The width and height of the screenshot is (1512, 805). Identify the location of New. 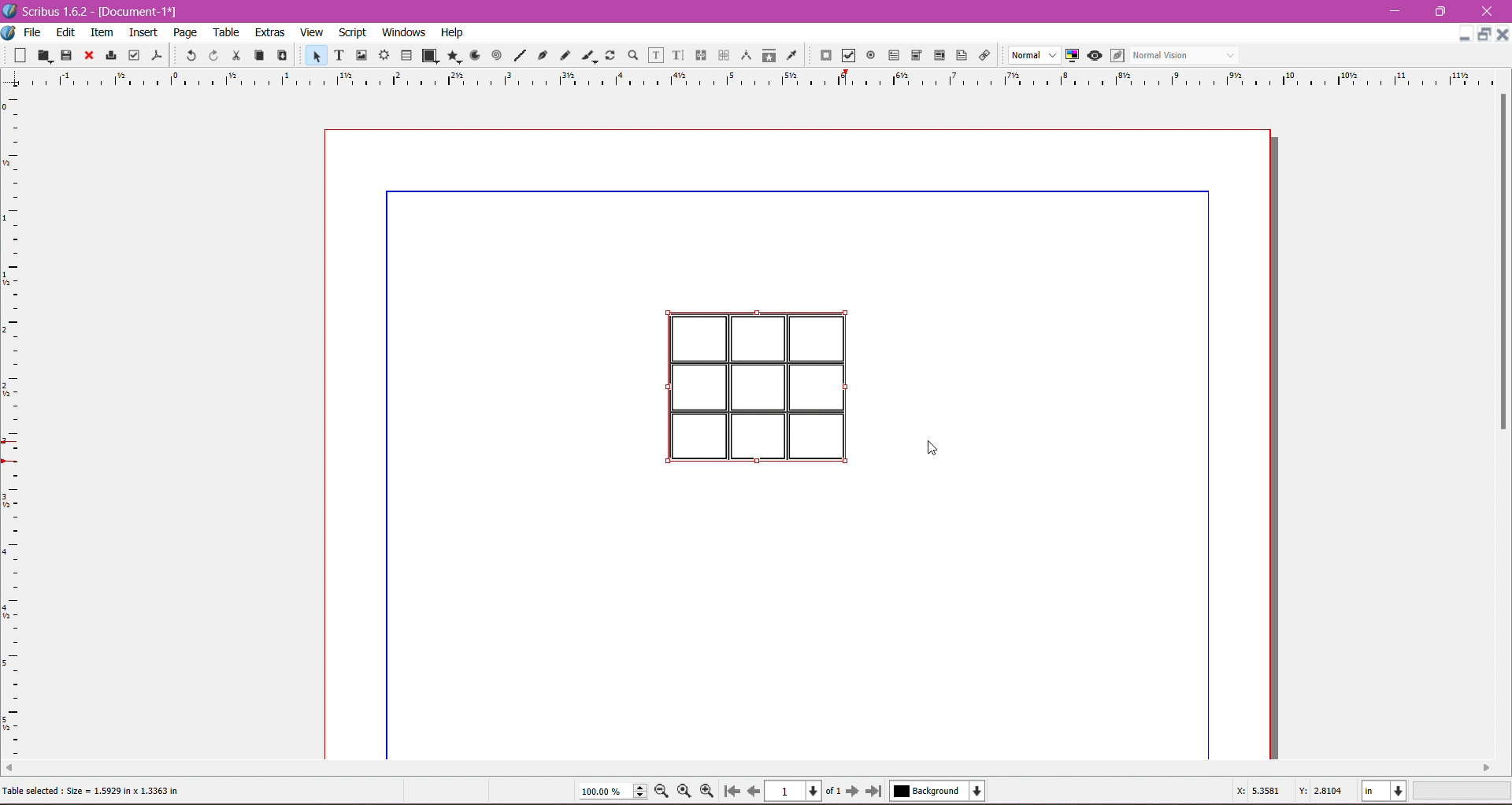
(22, 54).